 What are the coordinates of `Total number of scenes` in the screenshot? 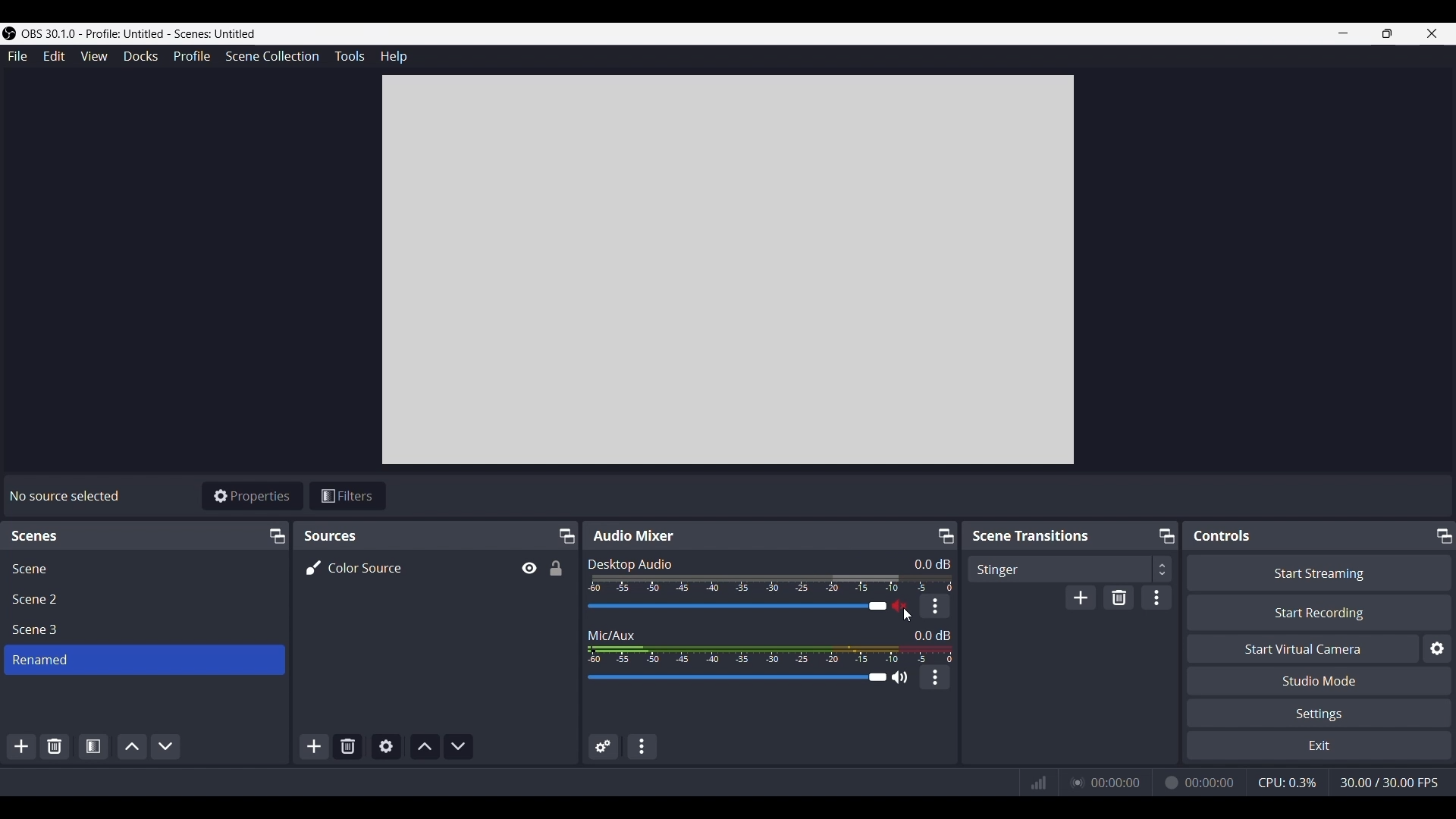 It's located at (37, 600).